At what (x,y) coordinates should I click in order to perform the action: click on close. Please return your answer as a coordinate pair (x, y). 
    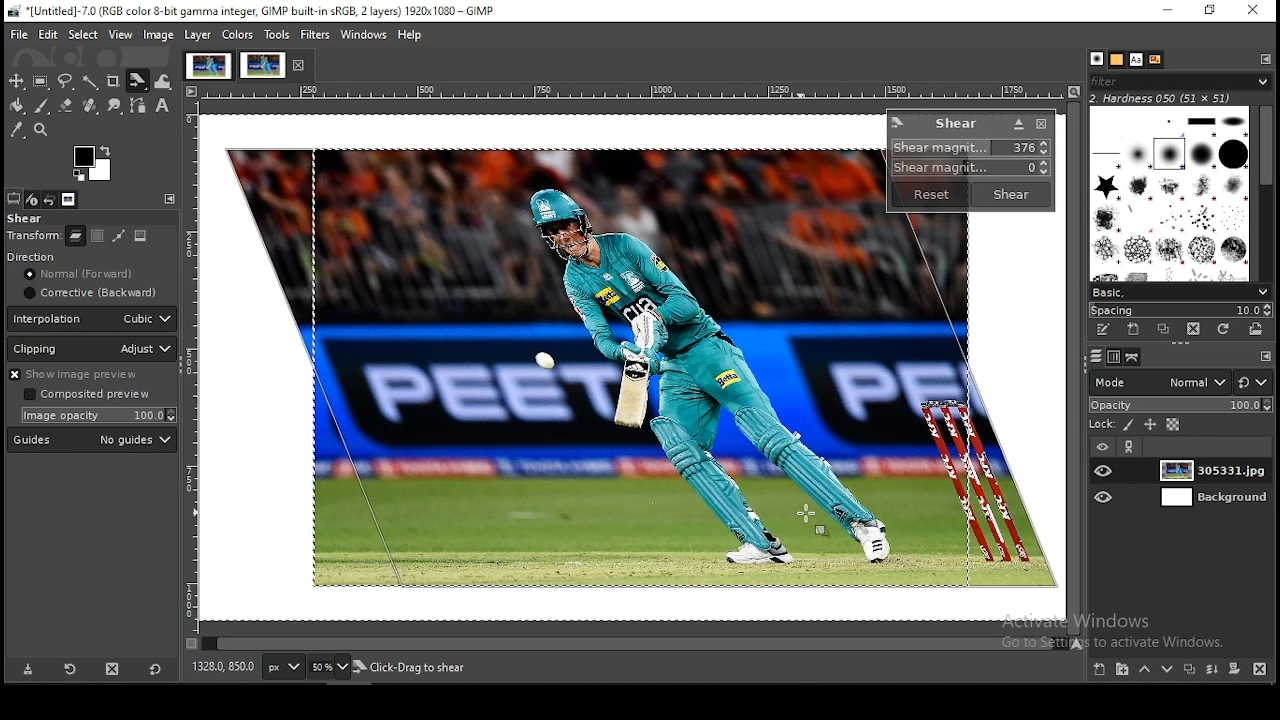
    Looking at the image, I should click on (301, 66).